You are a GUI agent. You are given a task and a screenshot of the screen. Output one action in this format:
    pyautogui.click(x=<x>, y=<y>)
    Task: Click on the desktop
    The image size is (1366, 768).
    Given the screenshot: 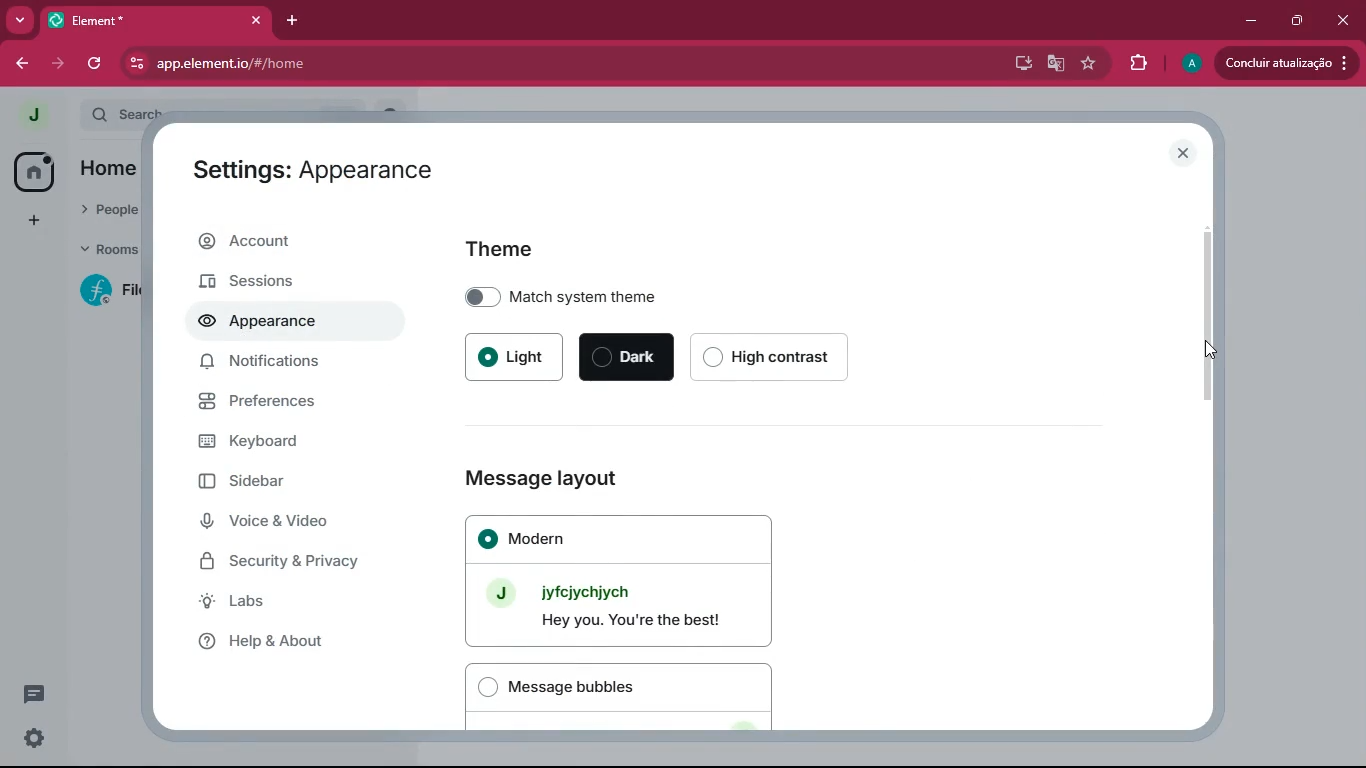 What is the action you would take?
    pyautogui.click(x=1020, y=64)
    